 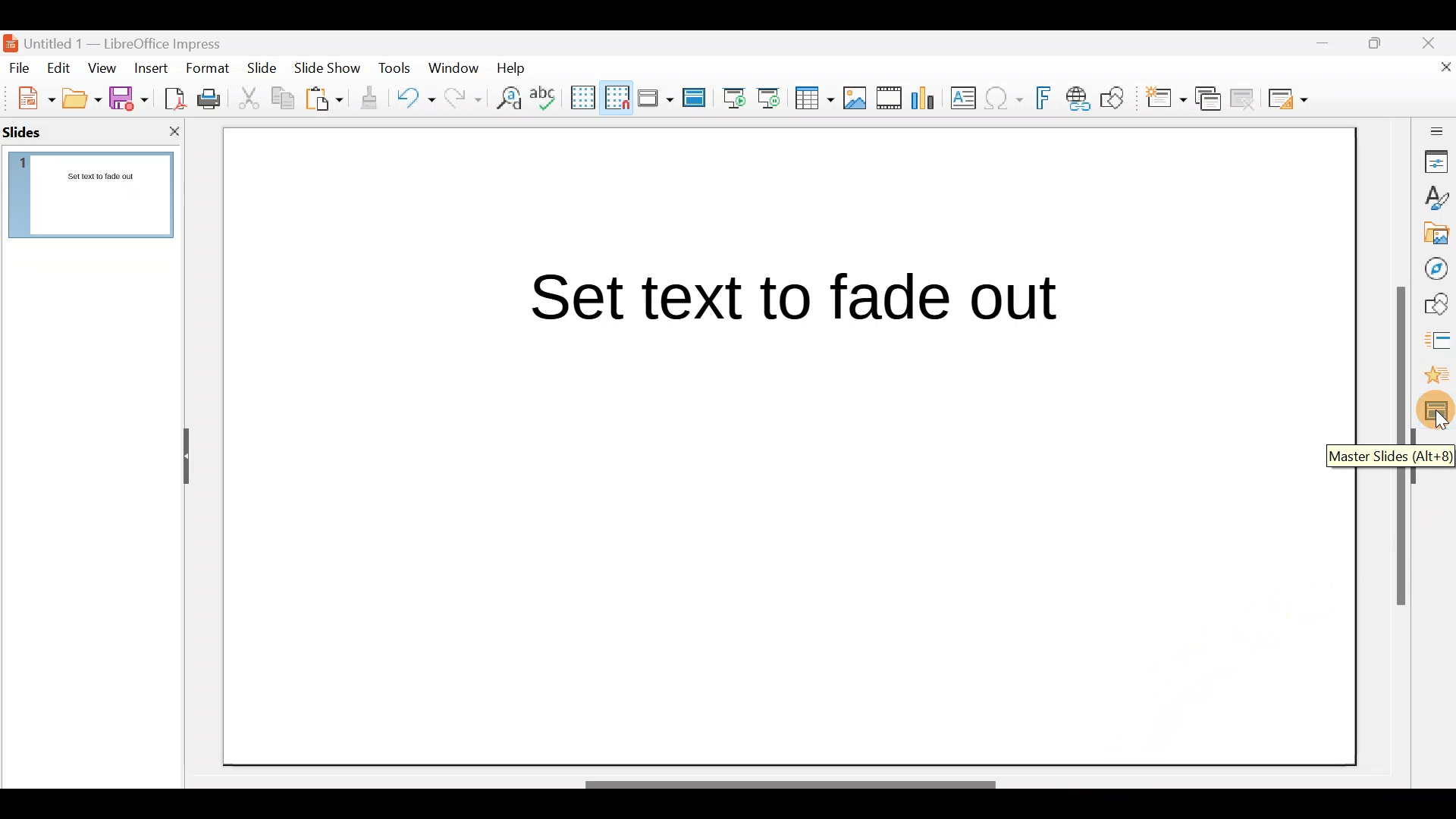 What do you see at coordinates (1437, 74) in the screenshot?
I see `Close document` at bounding box center [1437, 74].